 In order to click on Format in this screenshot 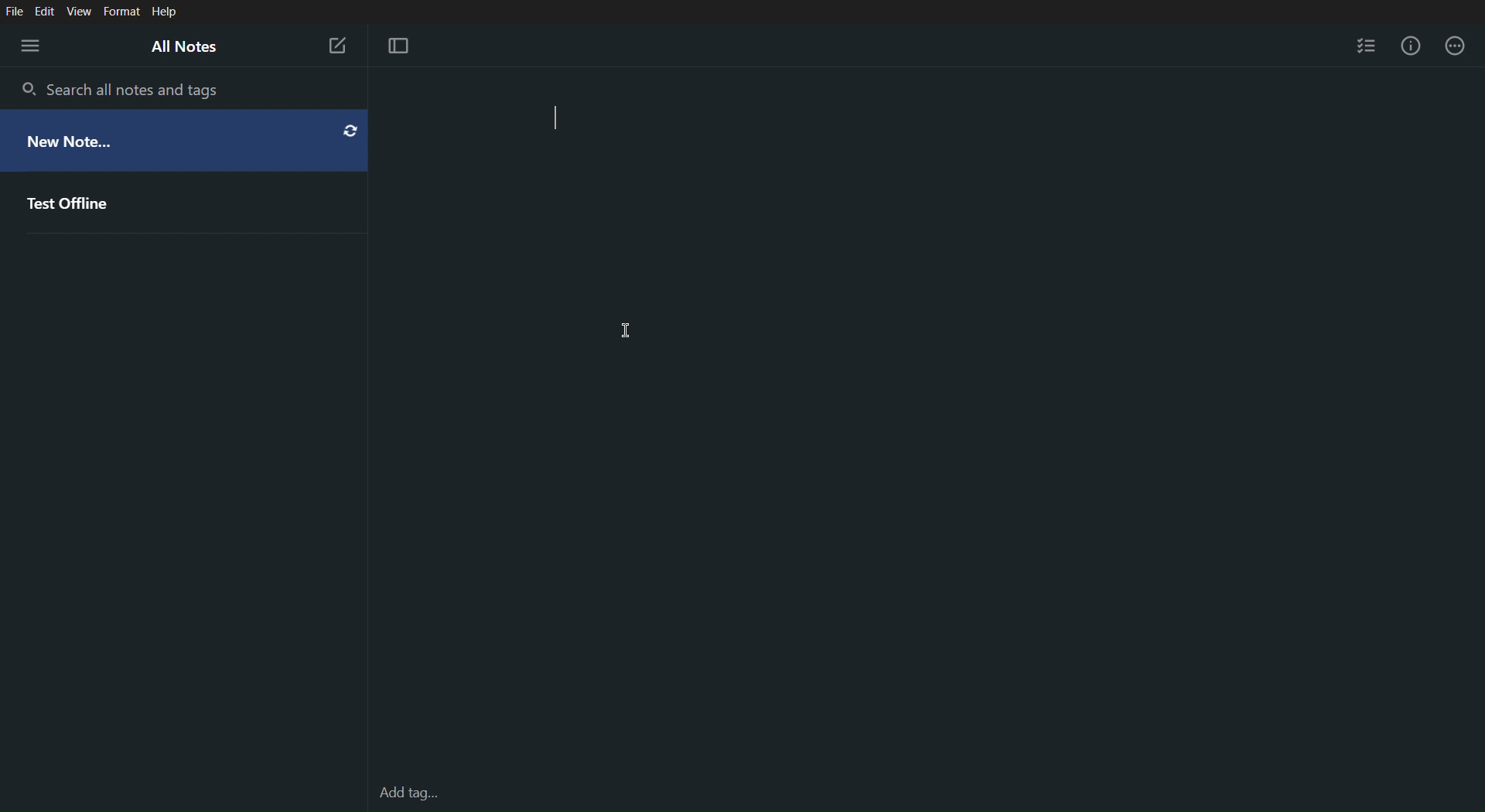, I will do `click(122, 10)`.